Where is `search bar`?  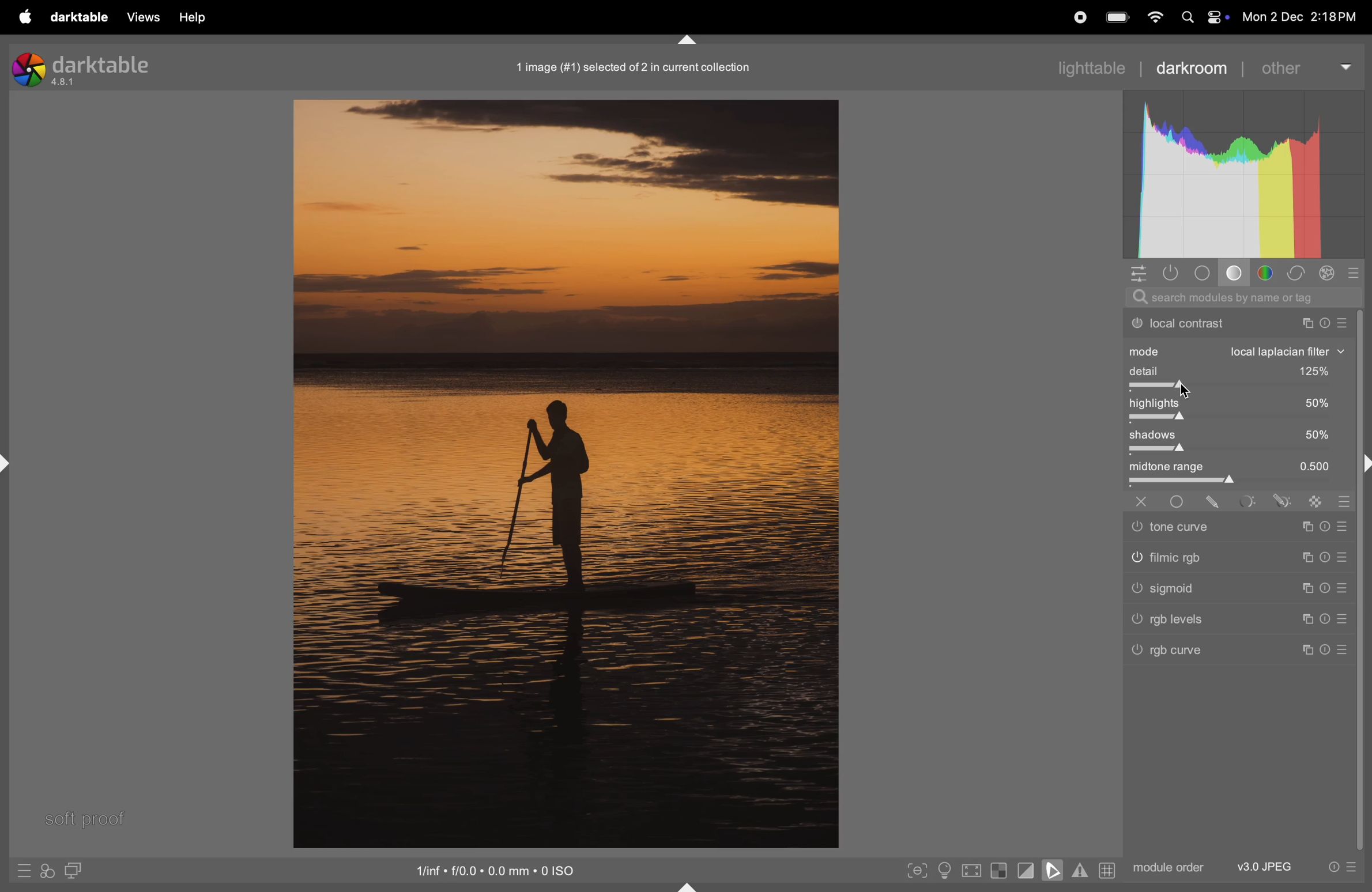 search bar is located at coordinates (1238, 297).